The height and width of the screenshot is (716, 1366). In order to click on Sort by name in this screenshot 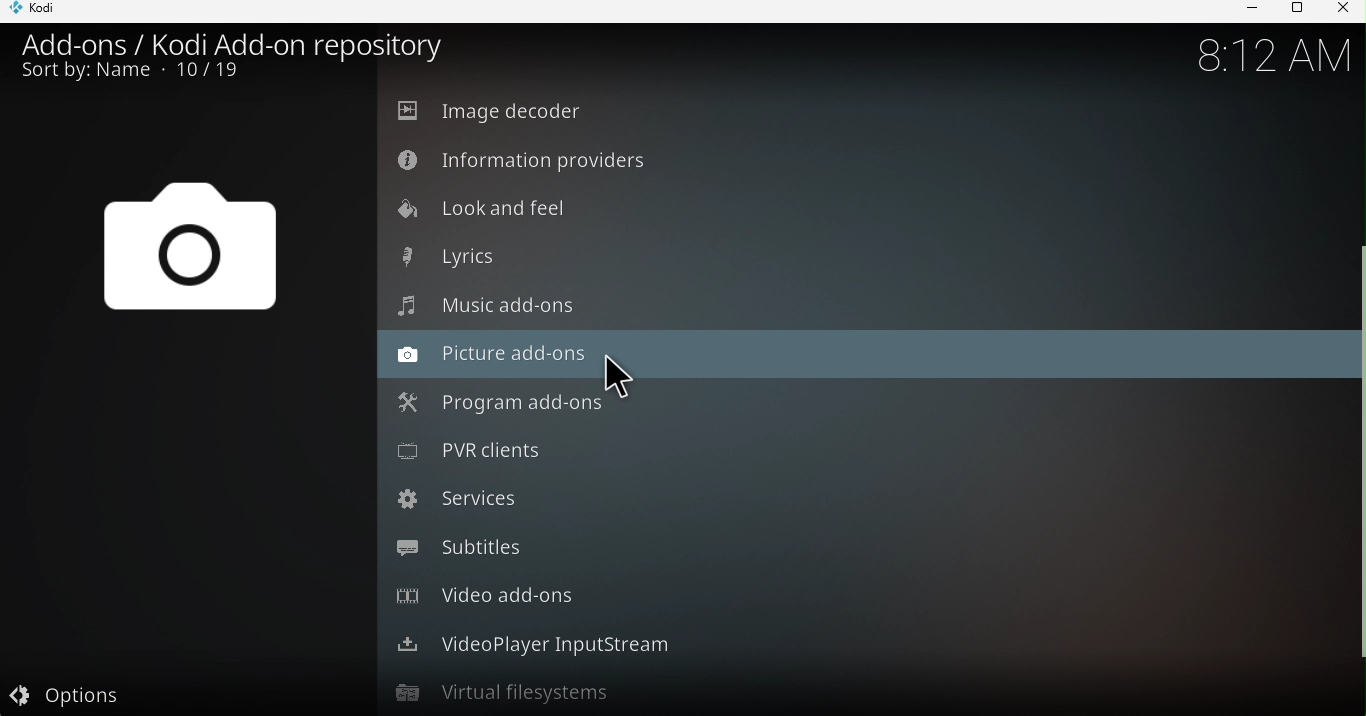, I will do `click(141, 74)`.